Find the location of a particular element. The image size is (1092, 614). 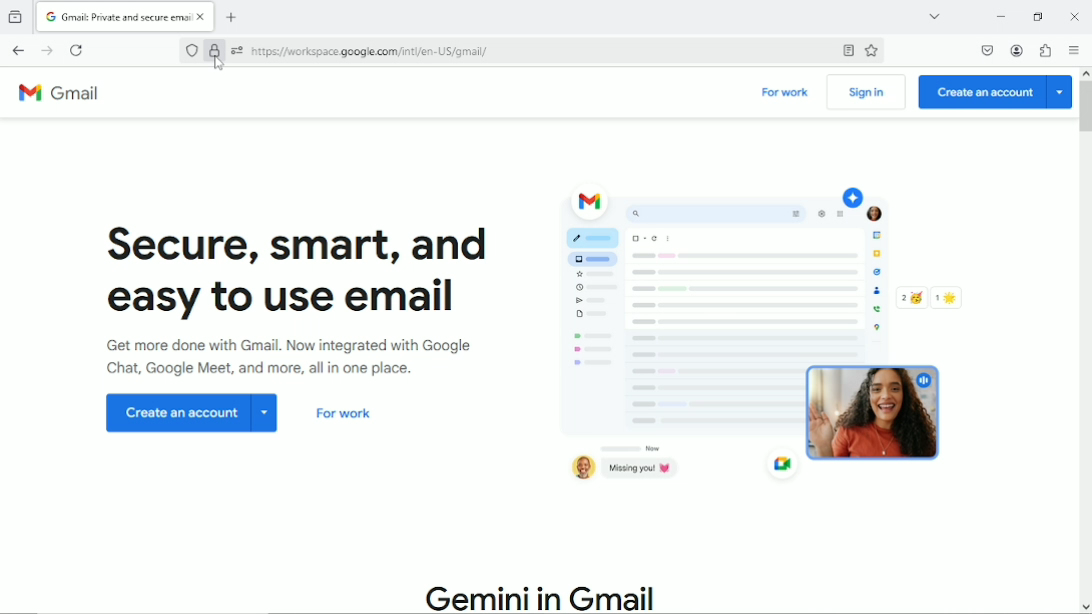

Vertical scrollbar is located at coordinates (1084, 107).